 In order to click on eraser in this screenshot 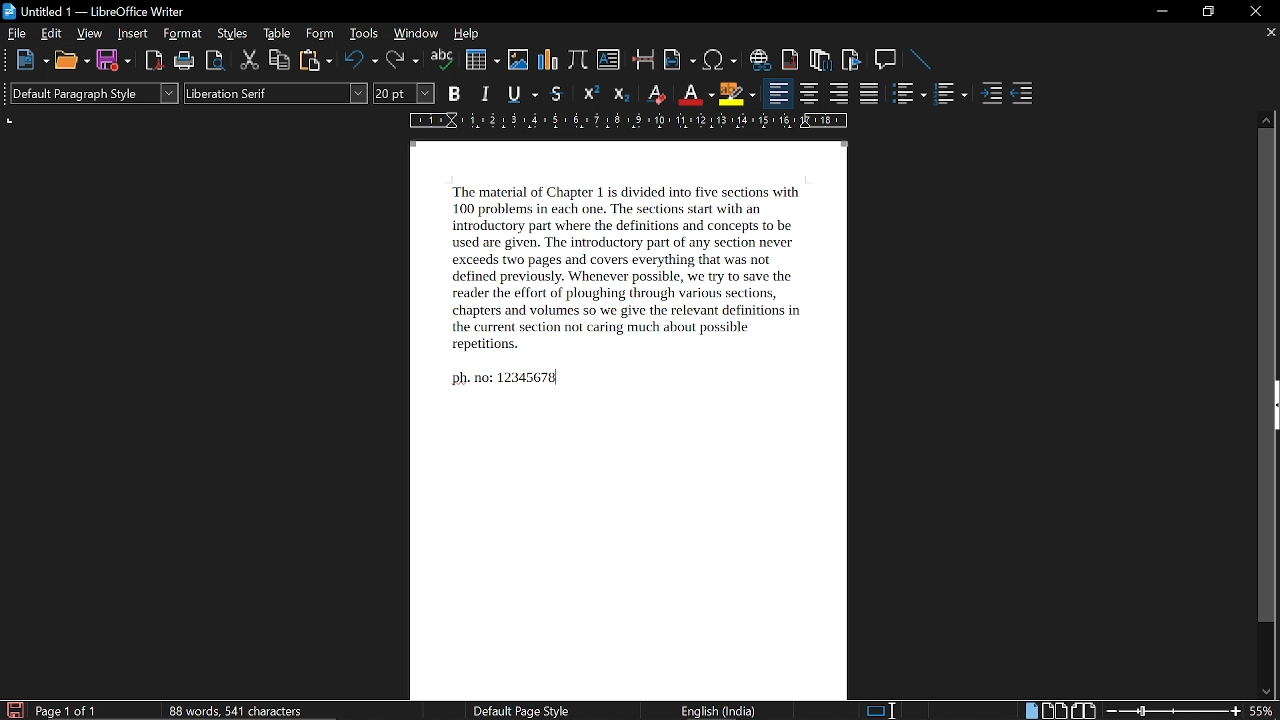, I will do `click(654, 94)`.